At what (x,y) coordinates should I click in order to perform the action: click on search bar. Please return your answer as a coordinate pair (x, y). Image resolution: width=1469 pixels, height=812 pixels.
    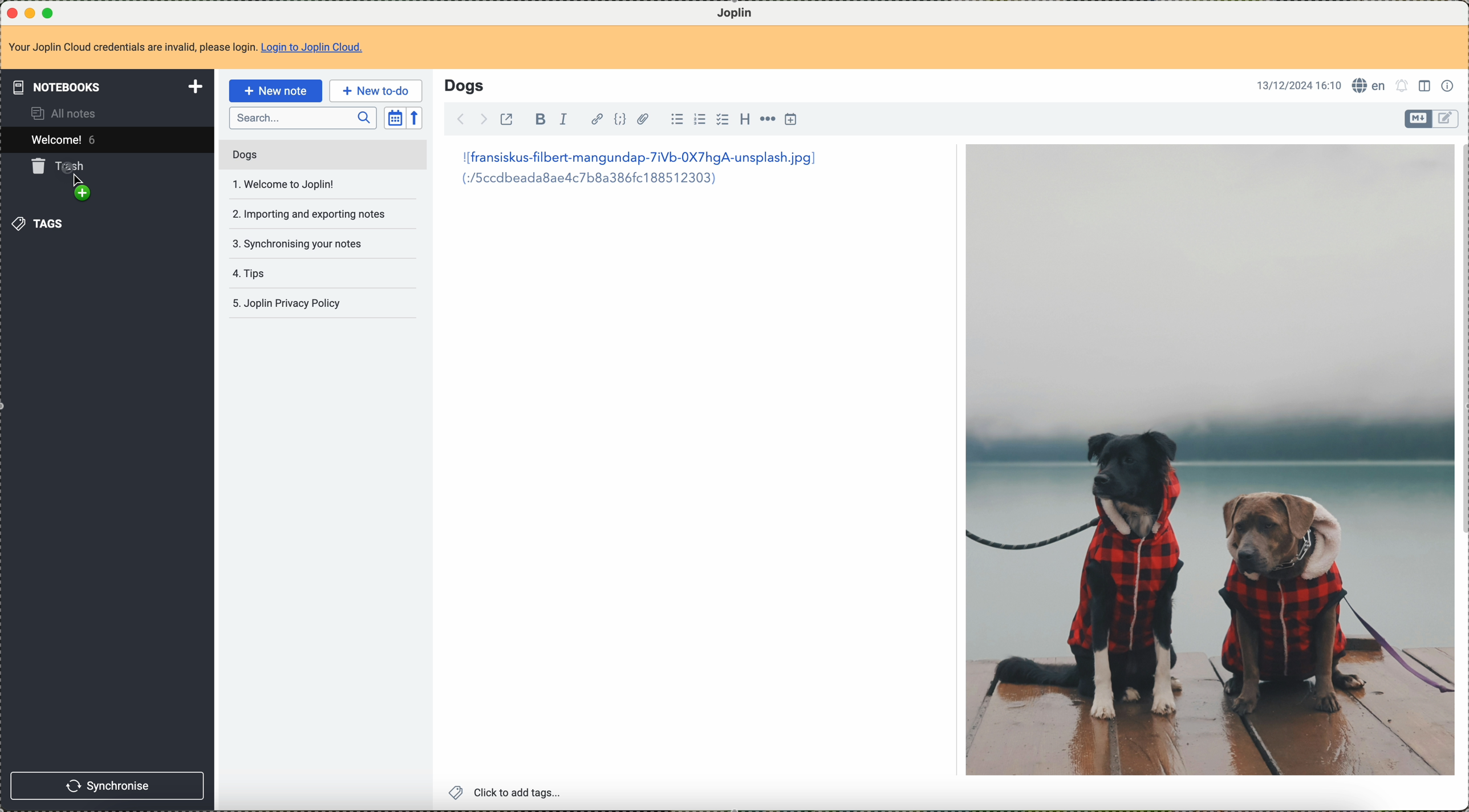
    Looking at the image, I should click on (302, 116).